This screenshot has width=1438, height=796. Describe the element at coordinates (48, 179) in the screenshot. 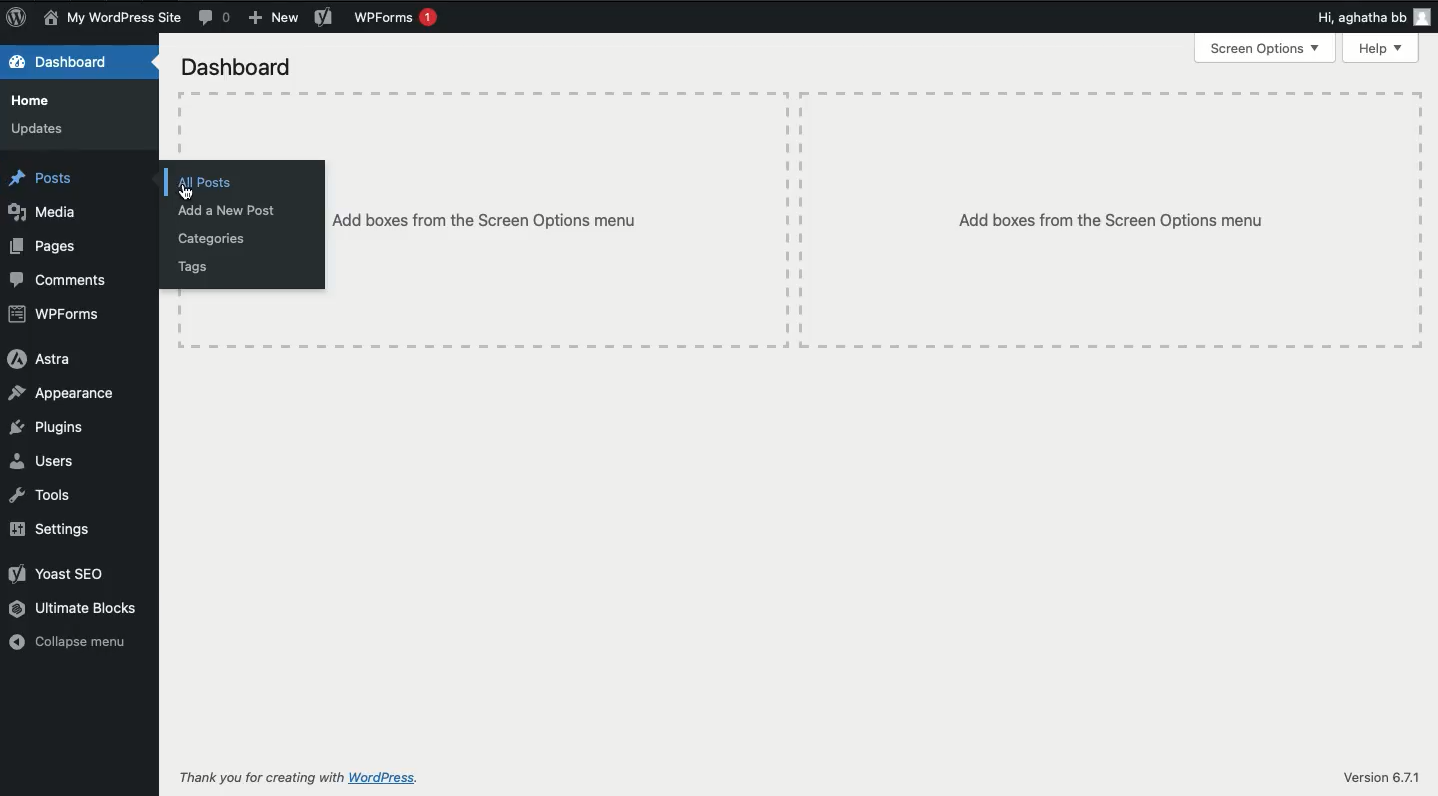

I see `Posts` at that location.